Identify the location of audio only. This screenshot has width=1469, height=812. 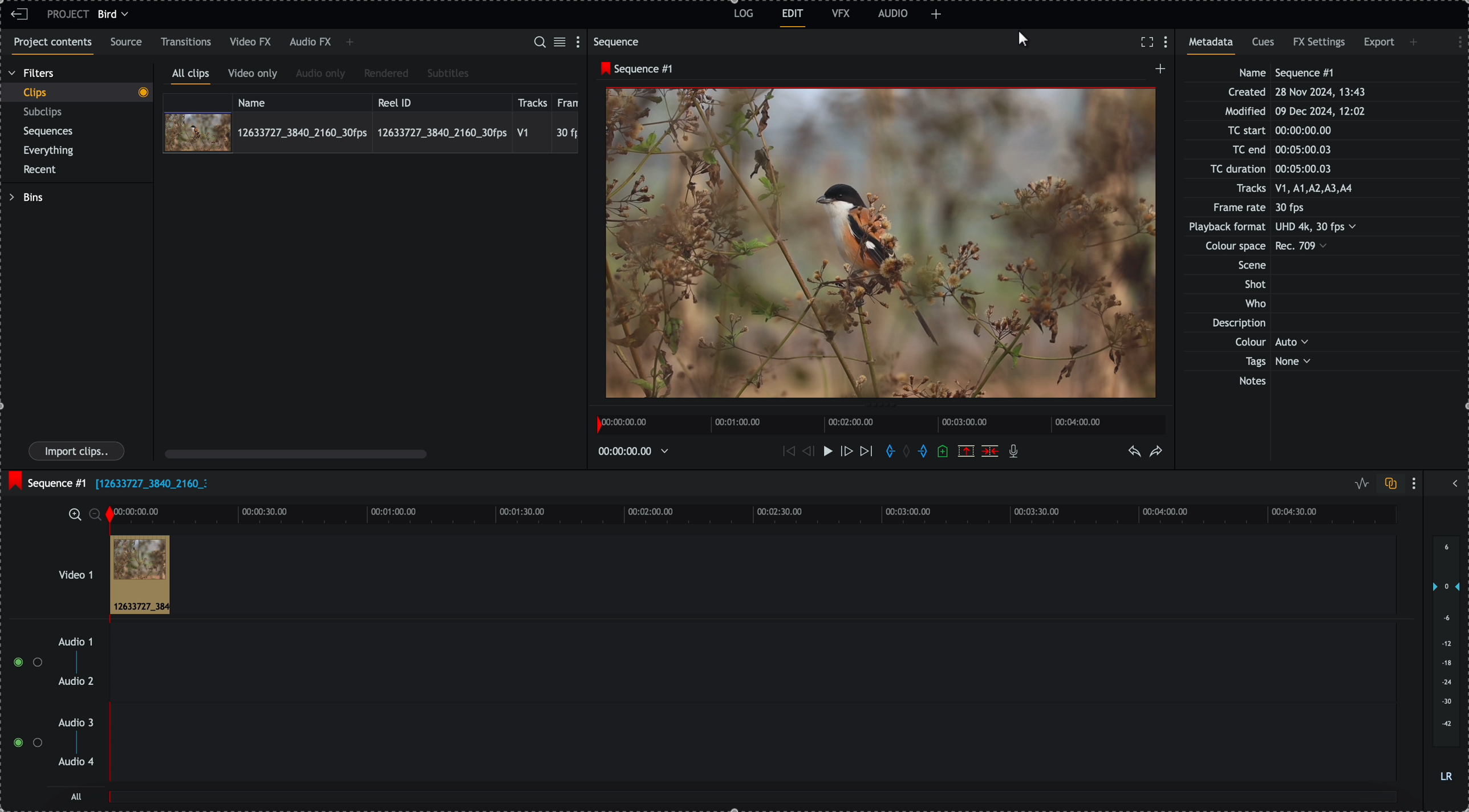
(321, 75).